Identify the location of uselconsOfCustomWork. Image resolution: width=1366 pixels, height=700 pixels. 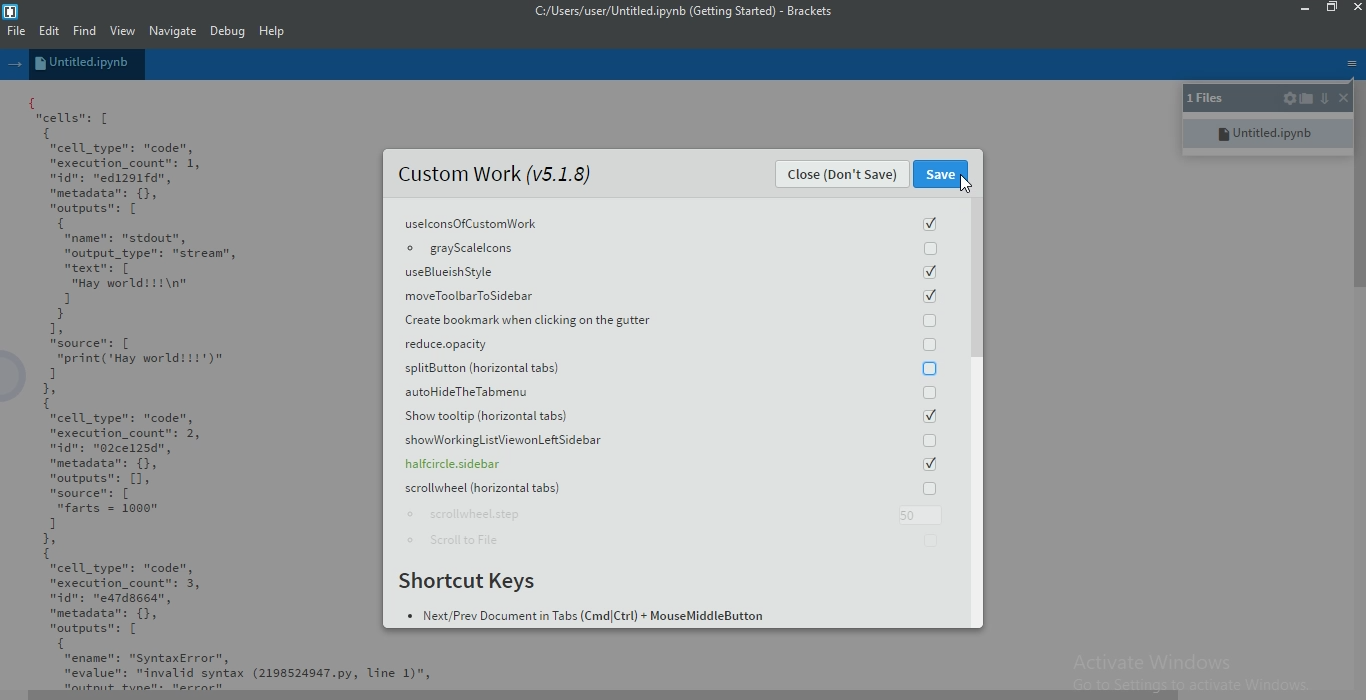
(675, 226).